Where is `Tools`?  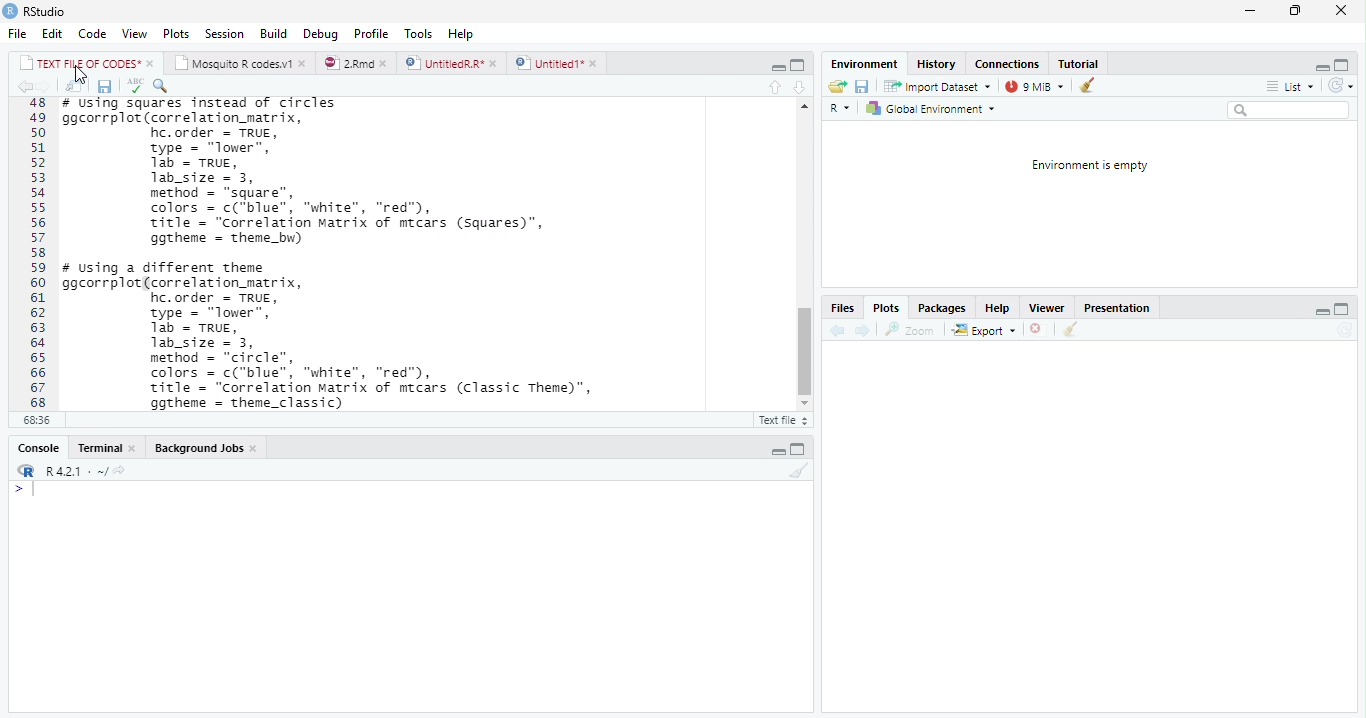 Tools is located at coordinates (417, 32).